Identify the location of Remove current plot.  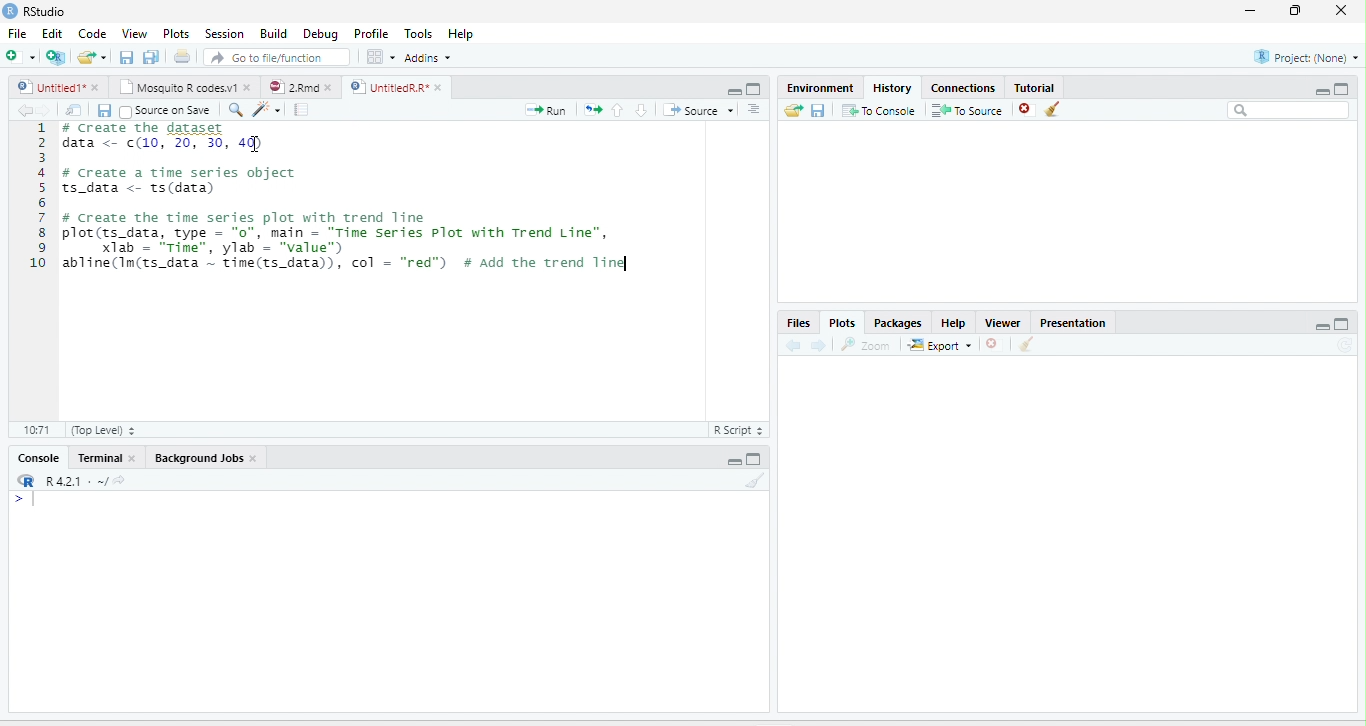
(996, 343).